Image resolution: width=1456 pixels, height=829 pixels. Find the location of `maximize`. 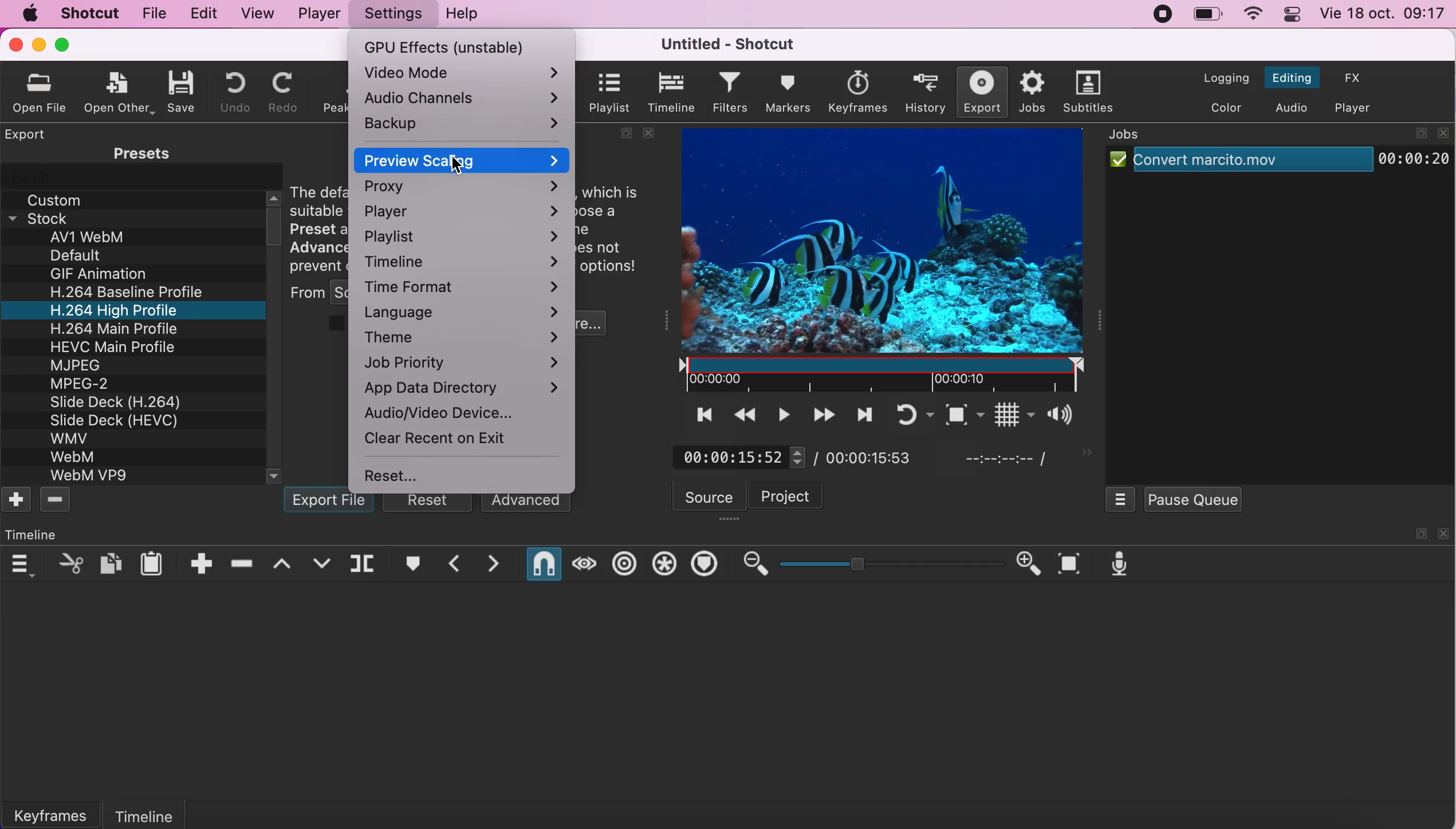

maximize is located at coordinates (1419, 534).